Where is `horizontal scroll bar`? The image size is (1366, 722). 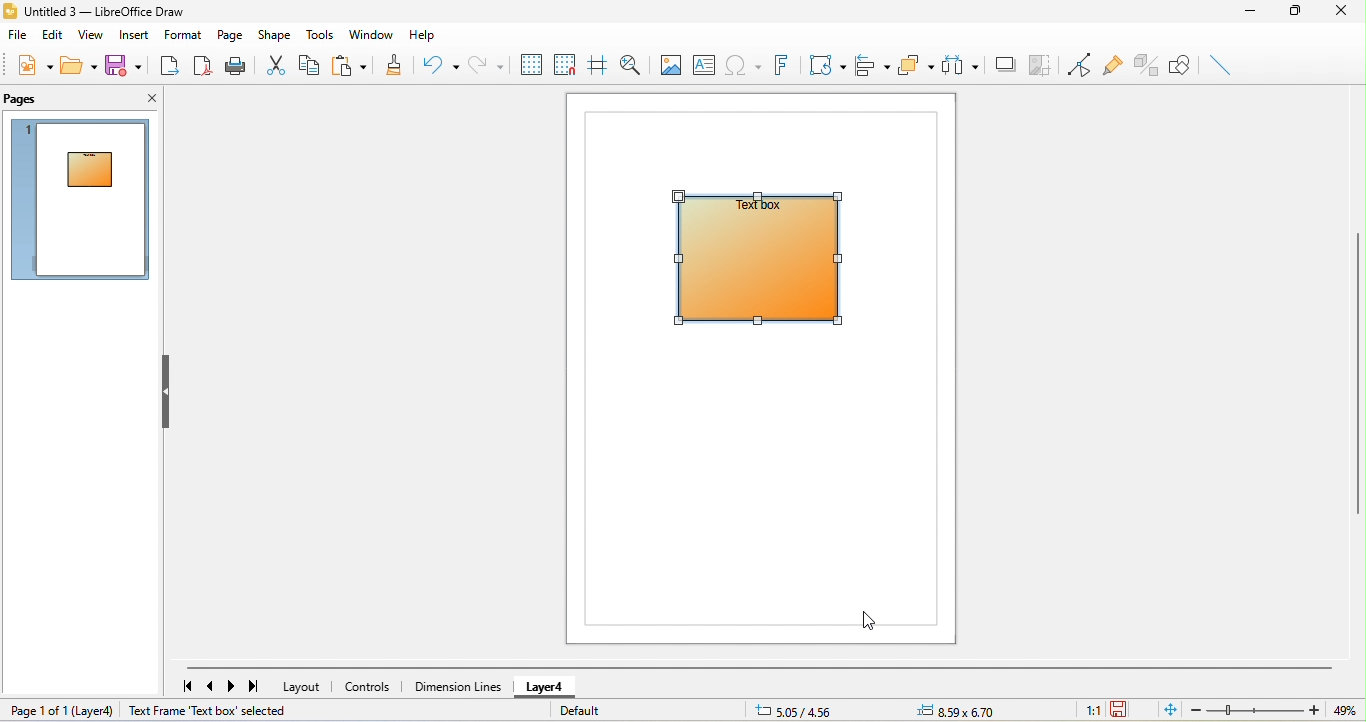 horizontal scroll bar is located at coordinates (759, 668).